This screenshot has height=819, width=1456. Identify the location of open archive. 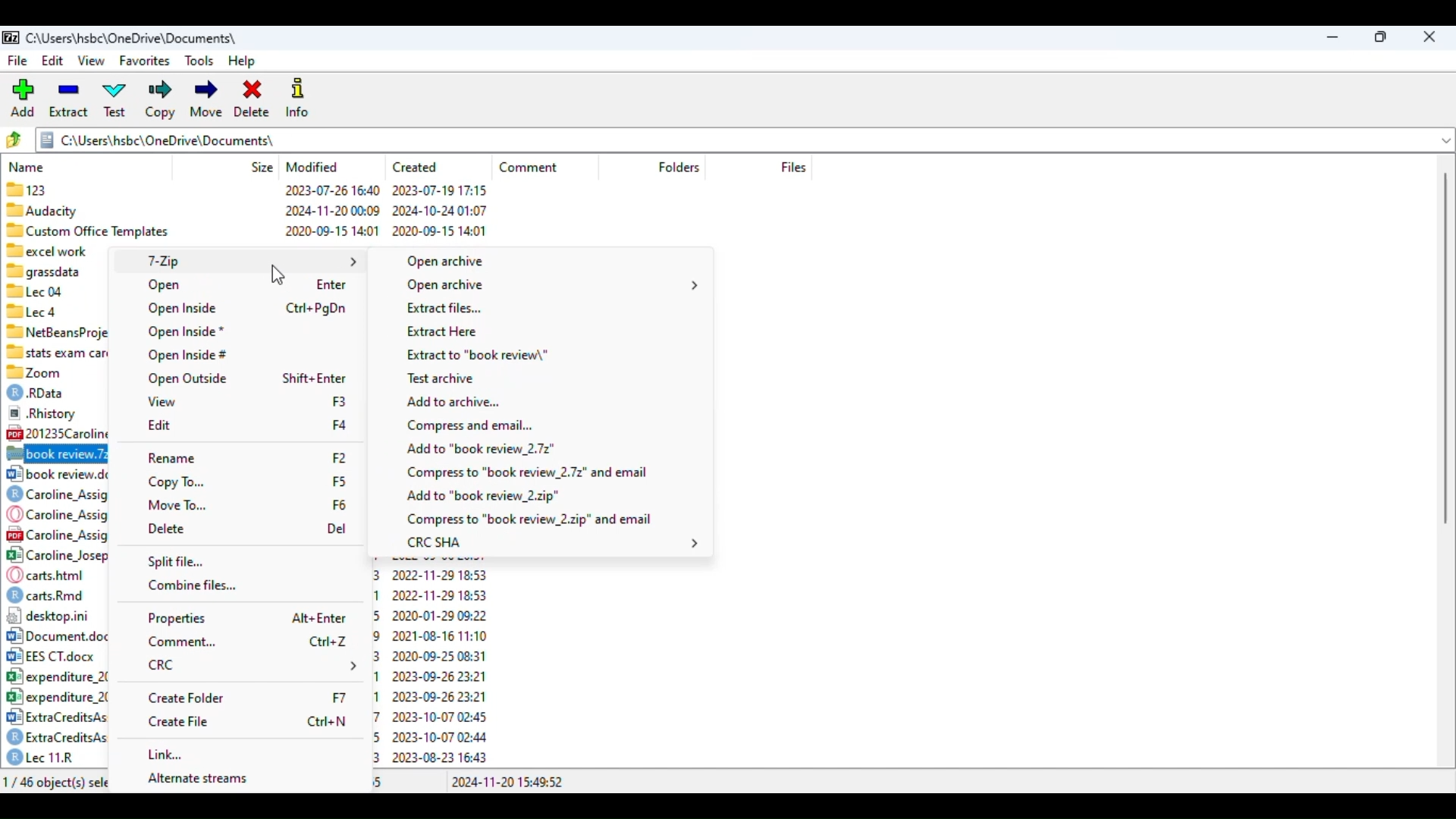
(555, 285).